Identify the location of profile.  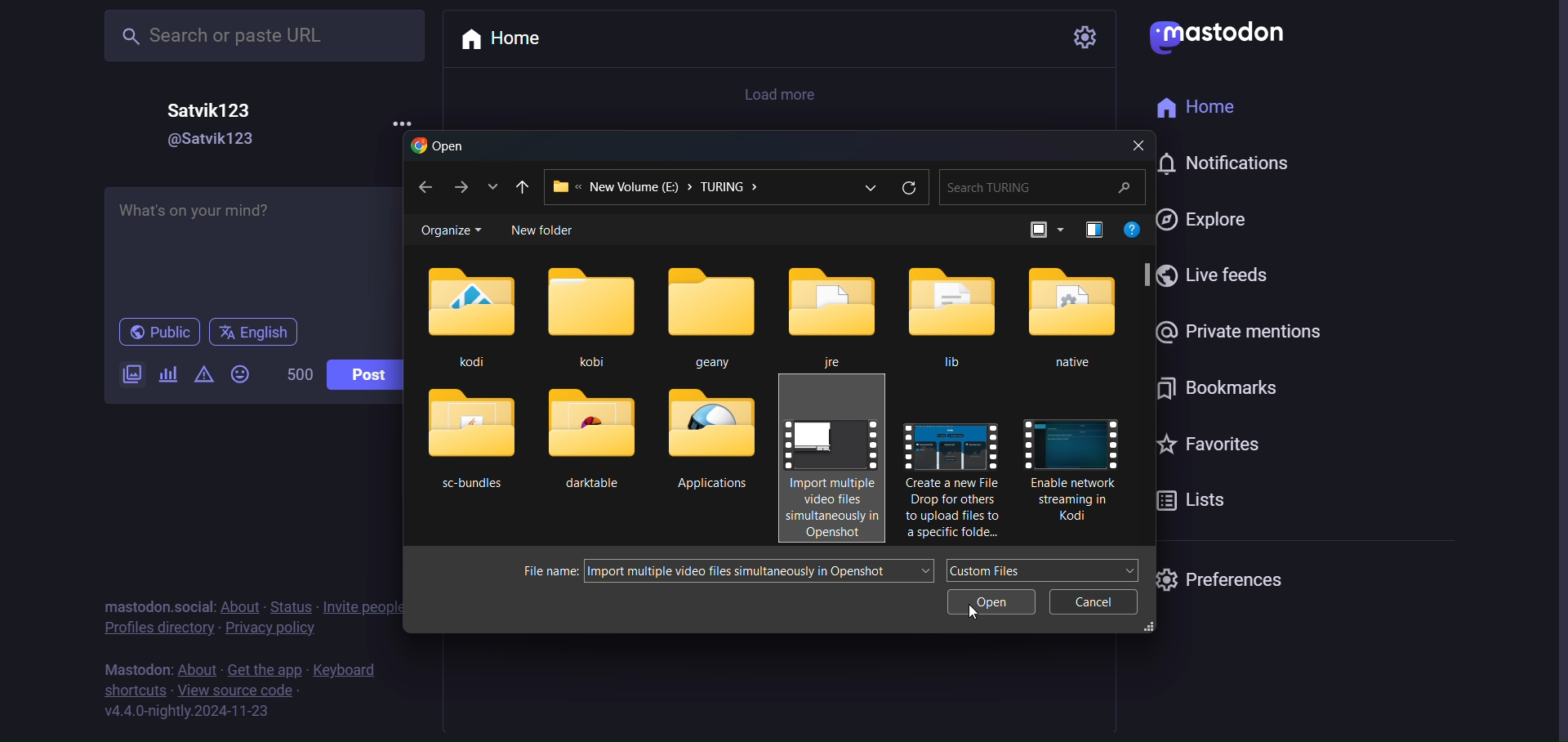
(152, 628).